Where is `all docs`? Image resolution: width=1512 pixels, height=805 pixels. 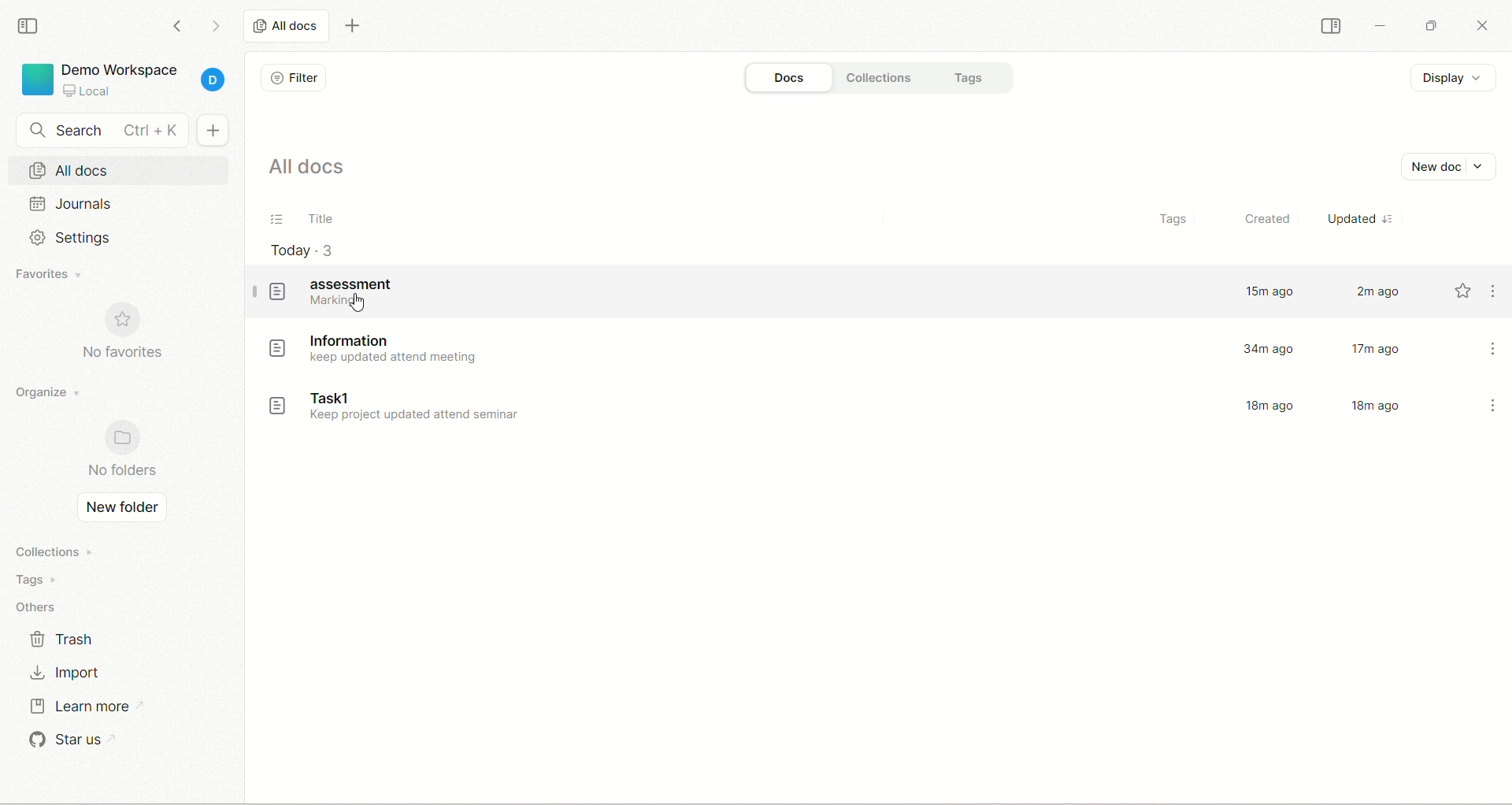
all docs is located at coordinates (313, 171).